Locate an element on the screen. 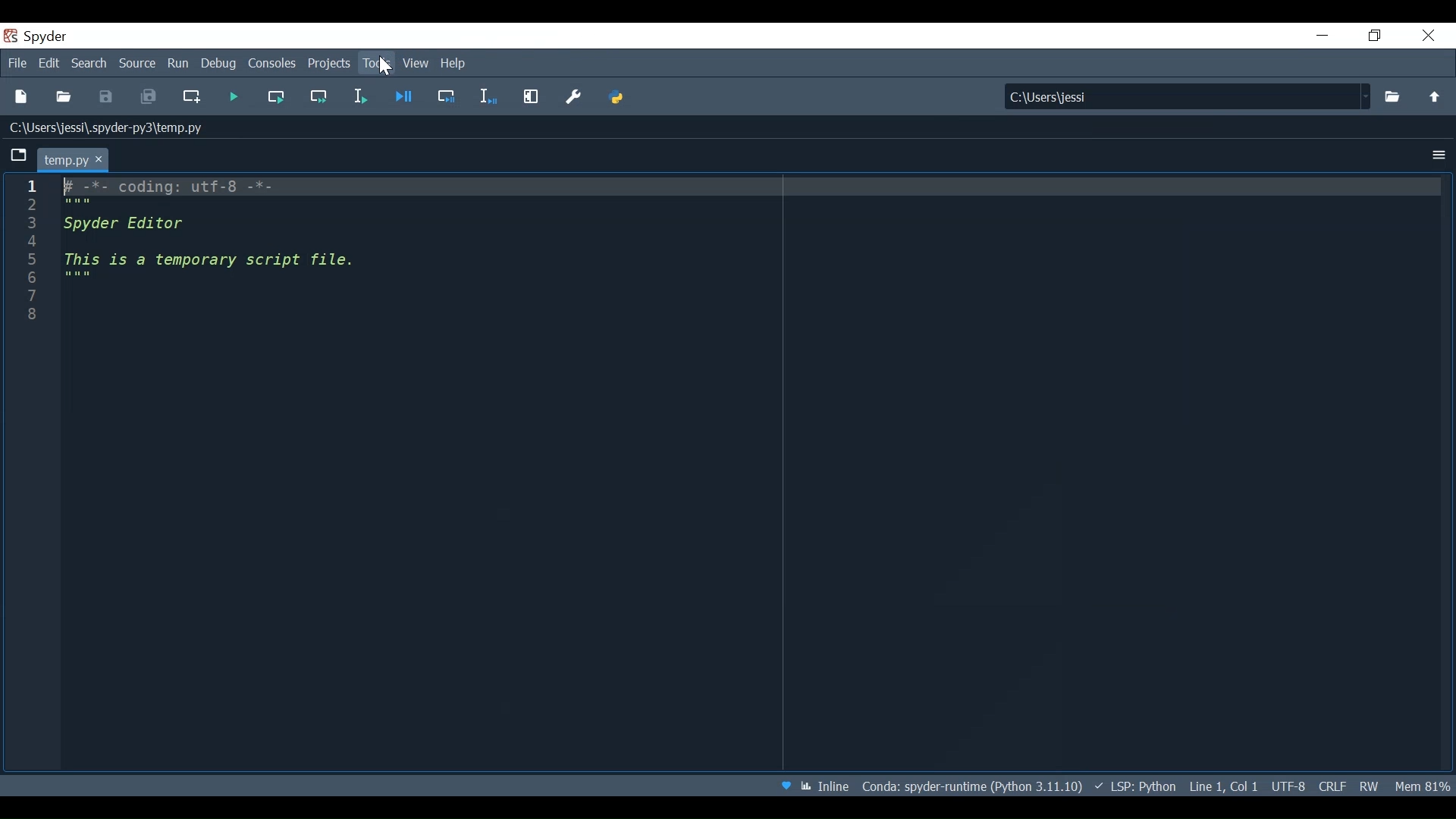 The width and height of the screenshot is (1456, 819). Toggle between inline and interactive Matplotlib plotting is located at coordinates (826, 788).